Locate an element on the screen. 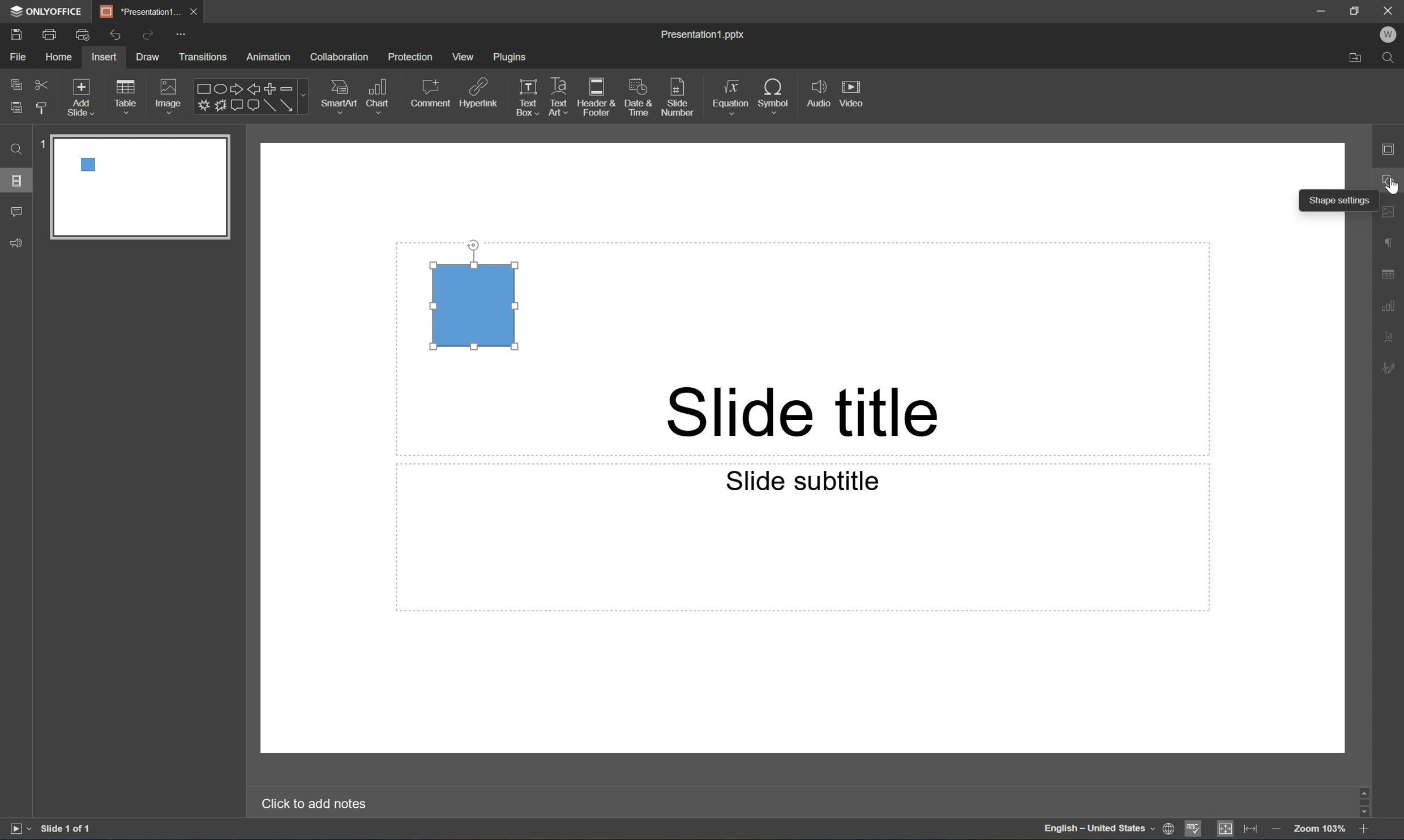 This screenshot has width=1404, height=840. Minimize is located at coordinates (1321, 9).